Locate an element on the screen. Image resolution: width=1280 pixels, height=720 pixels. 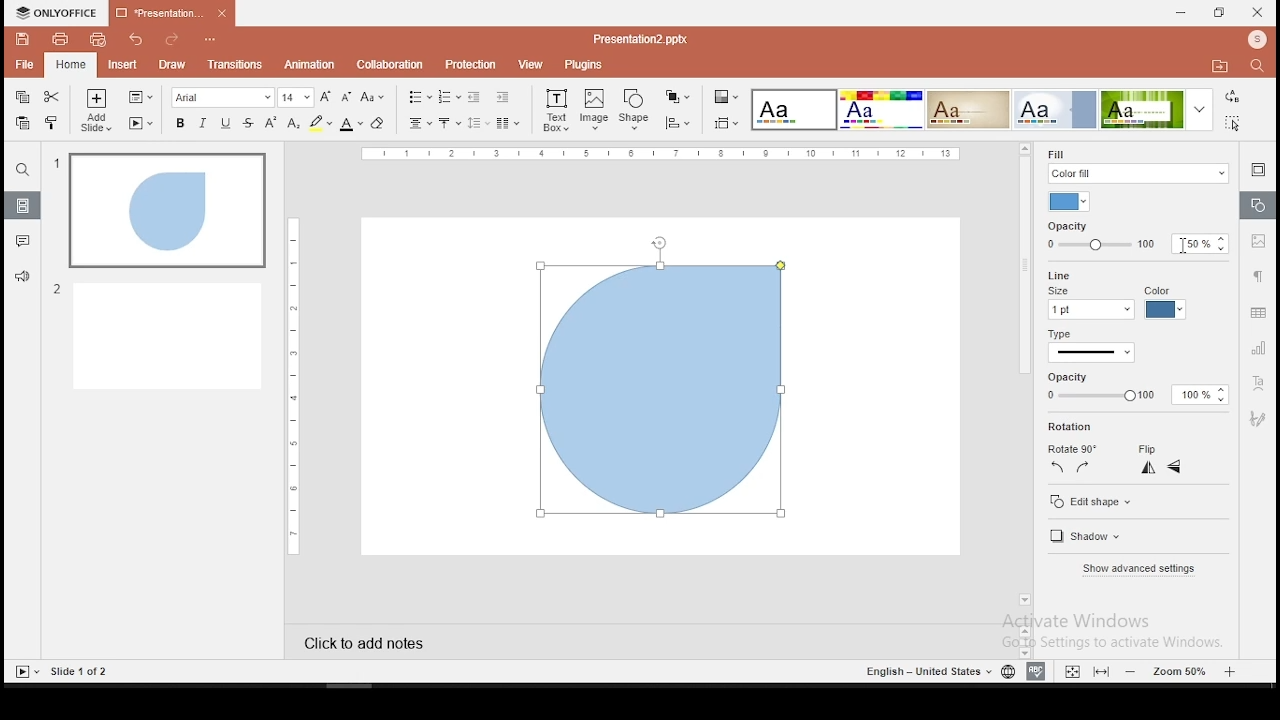
flip is located at coordinates (1148, 450).